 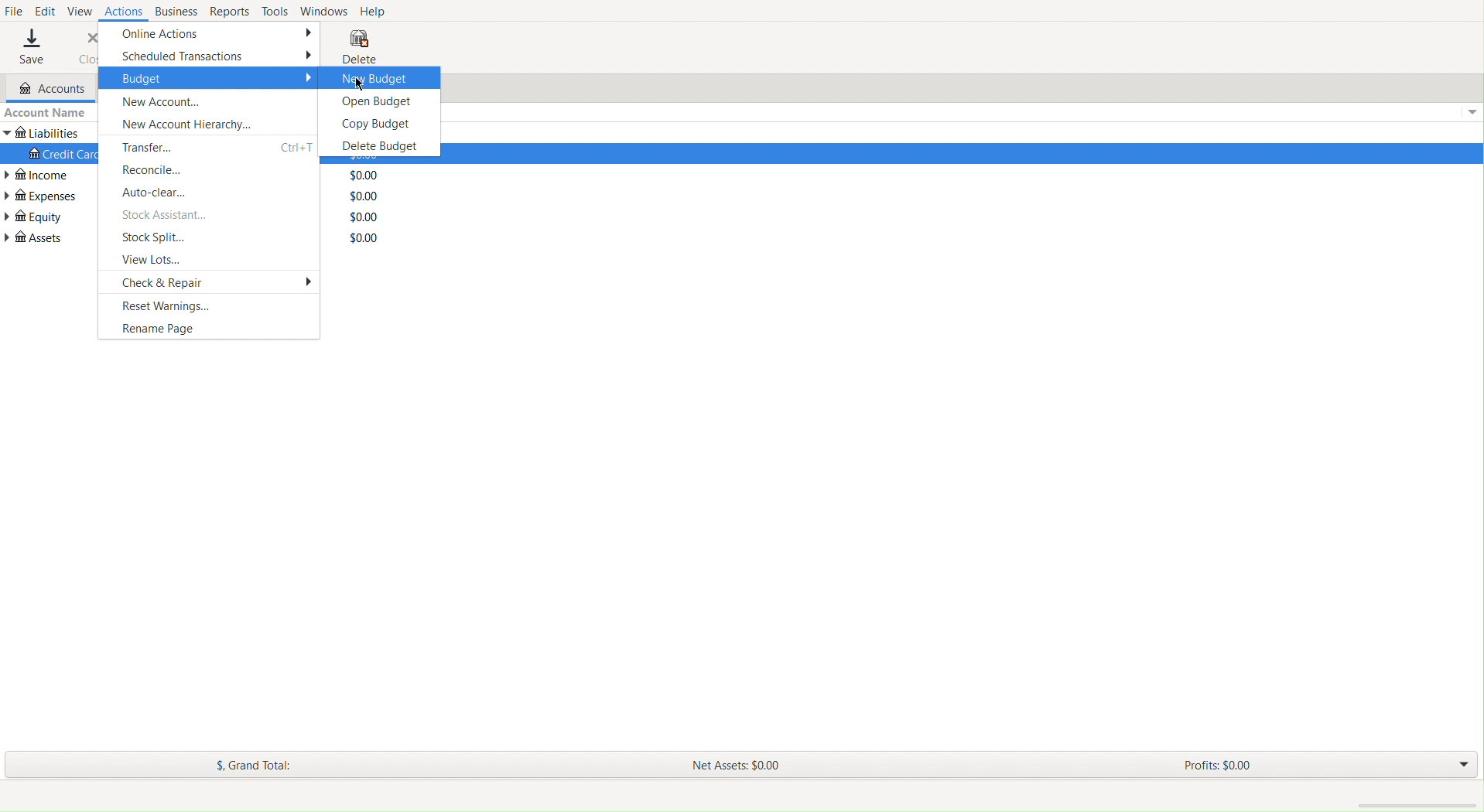 I want to click on View Lots, so click(x=156, y=260).